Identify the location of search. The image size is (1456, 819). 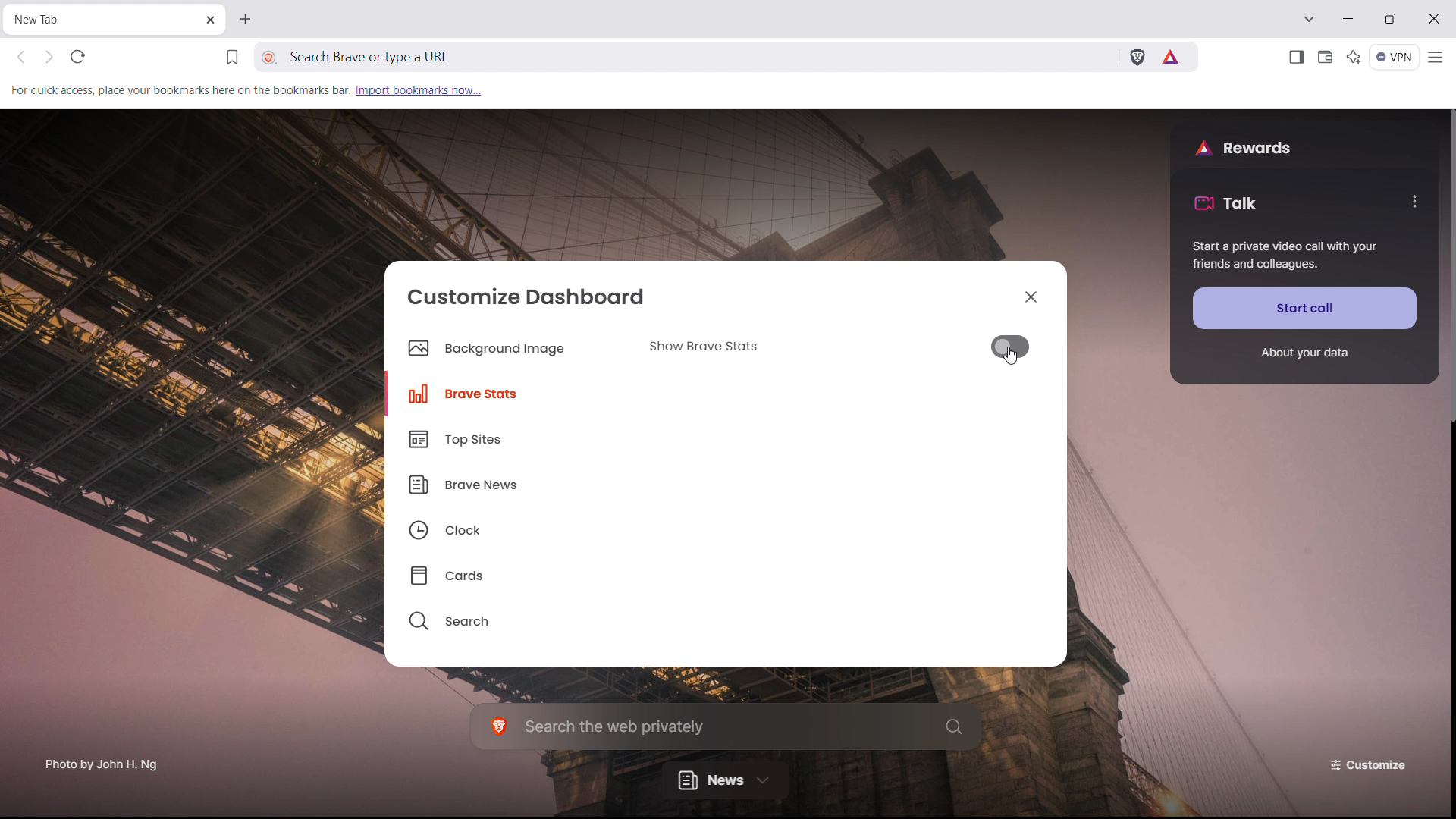
(507, 617).